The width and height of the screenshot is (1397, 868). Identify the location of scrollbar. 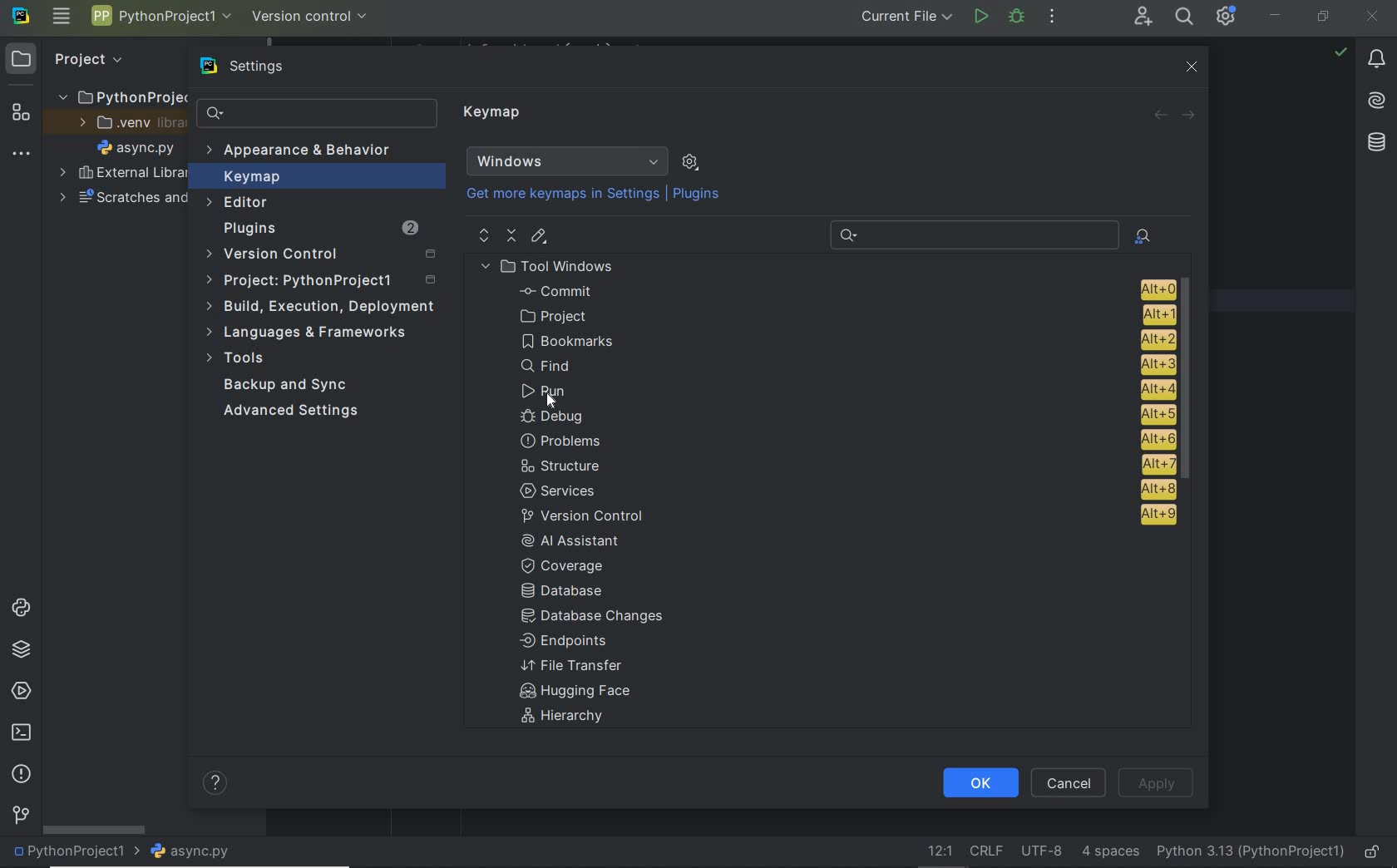
(92, 829).